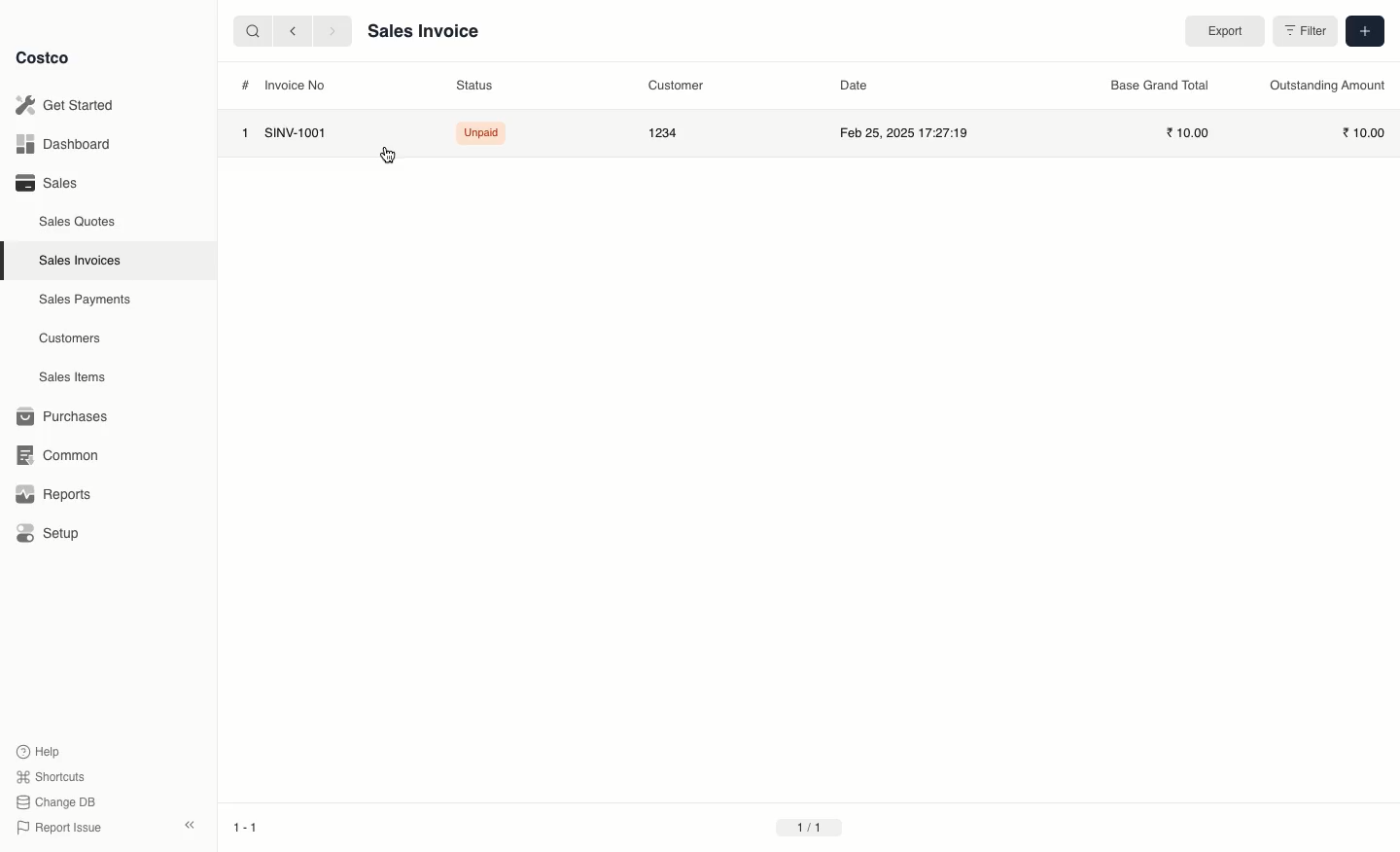 This screenshot has width=1400, height=852. What do you see at coordinates (246, 824) in the screenshot?
I see `1-1` at bounding box center [246, 824].